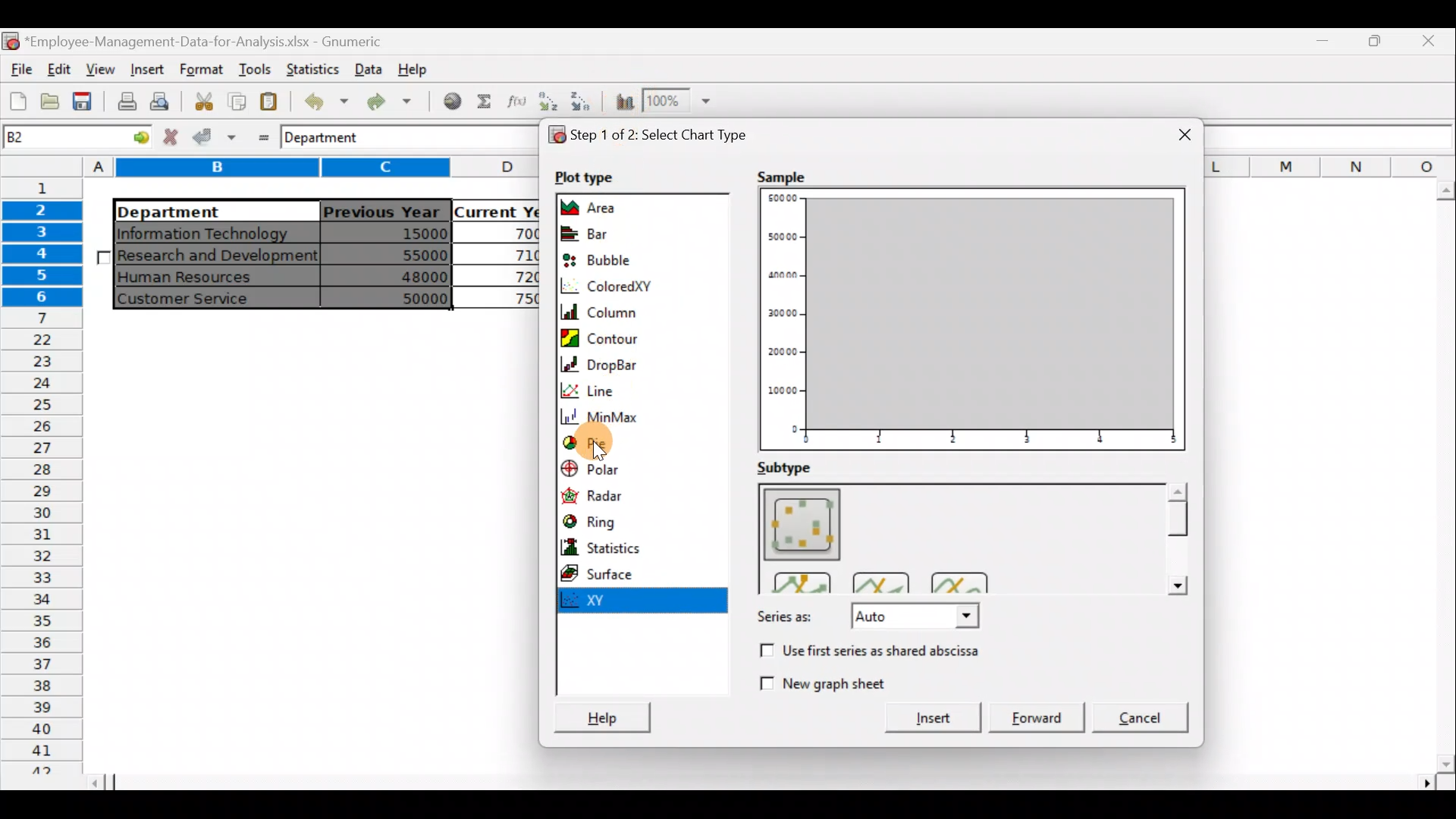 The height and width of the screenshot is (819, 1456). What do you see at coordinates (645, 416) in the screenshot?
I see `MinMax` at bounding box center [645, 416].